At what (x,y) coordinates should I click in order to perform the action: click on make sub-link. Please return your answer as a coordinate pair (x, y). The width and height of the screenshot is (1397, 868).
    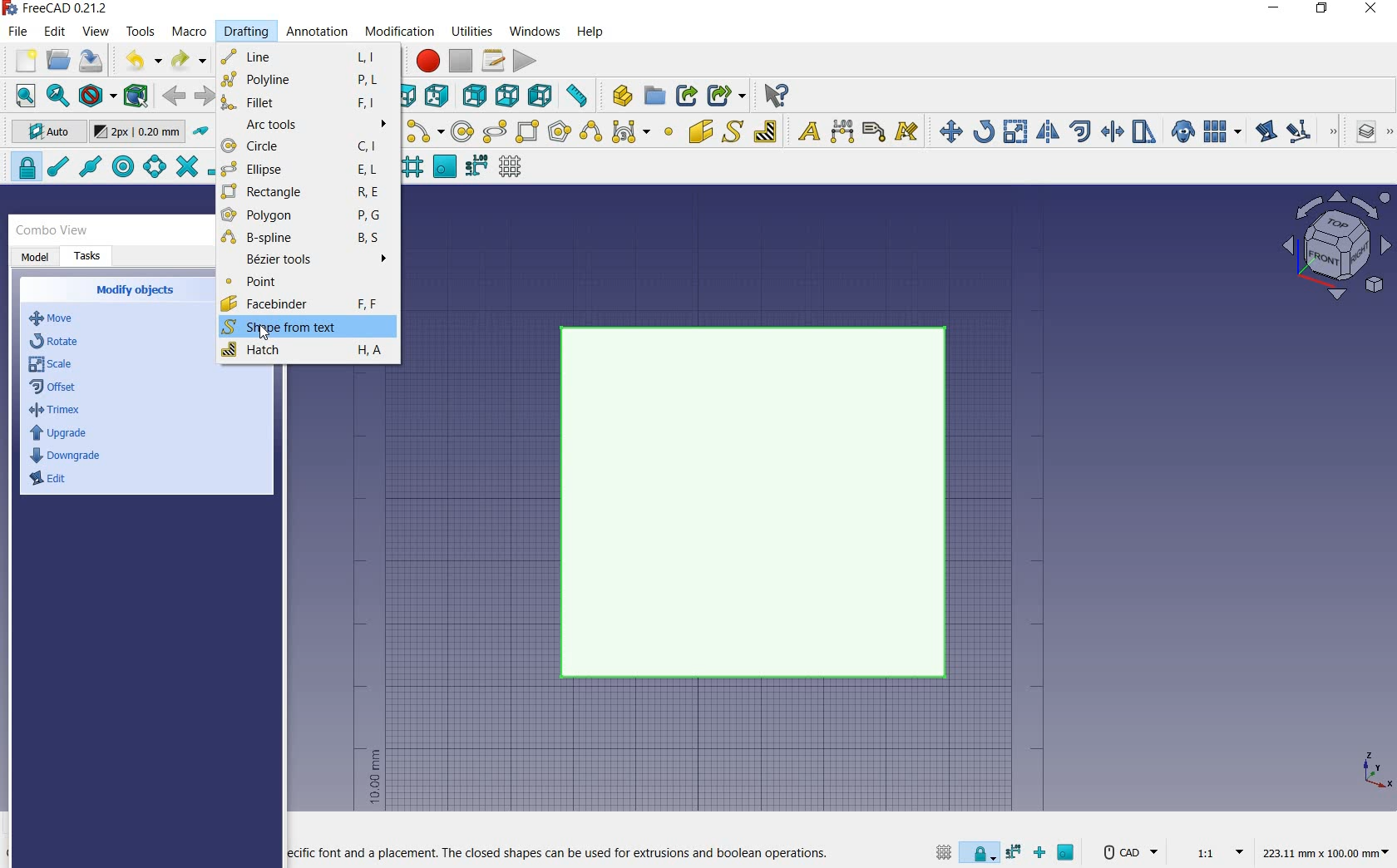
    Looking at the image, I should click on (724, 96).